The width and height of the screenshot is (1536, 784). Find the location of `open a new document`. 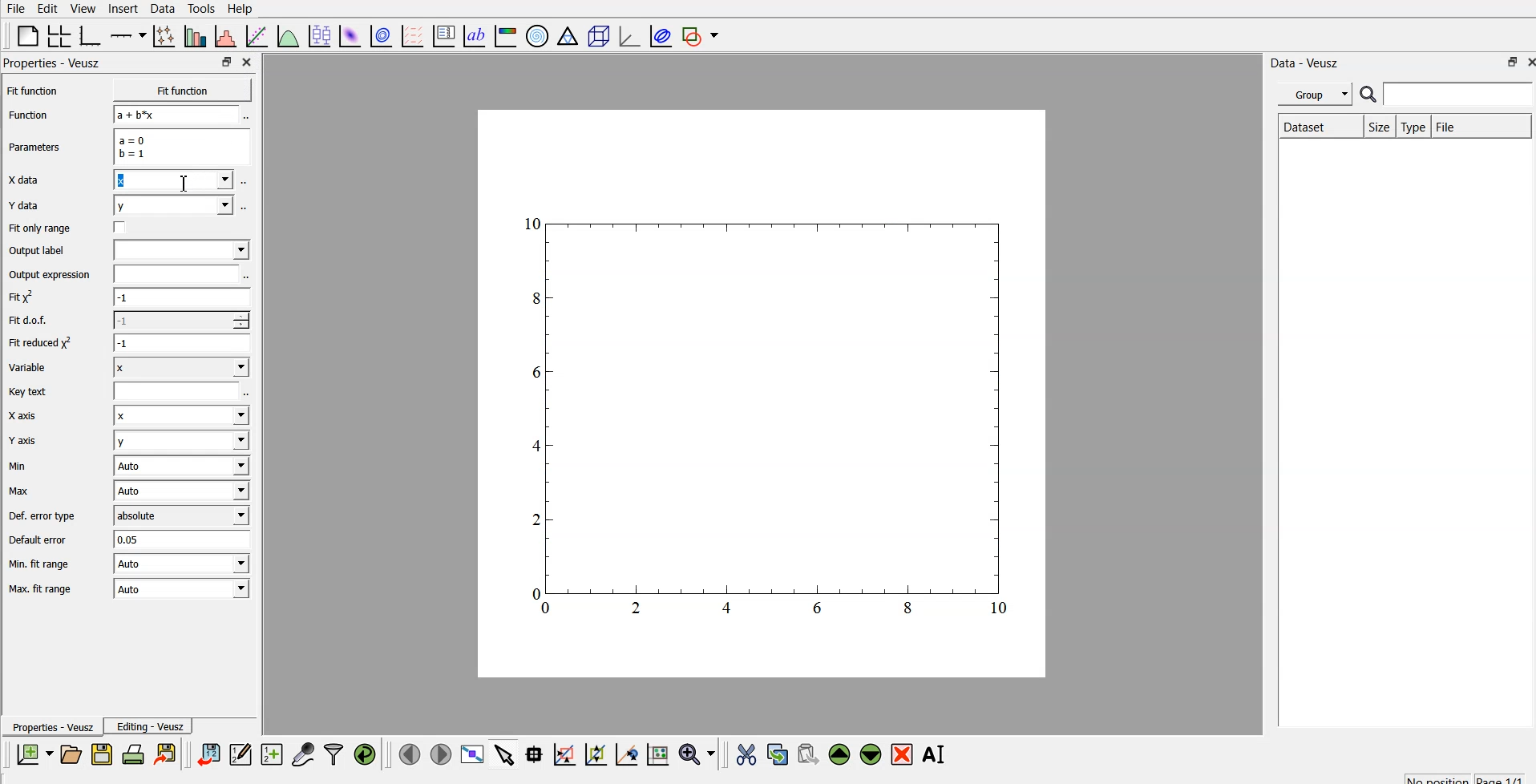

open a new document is located at coordinates (71, 757).